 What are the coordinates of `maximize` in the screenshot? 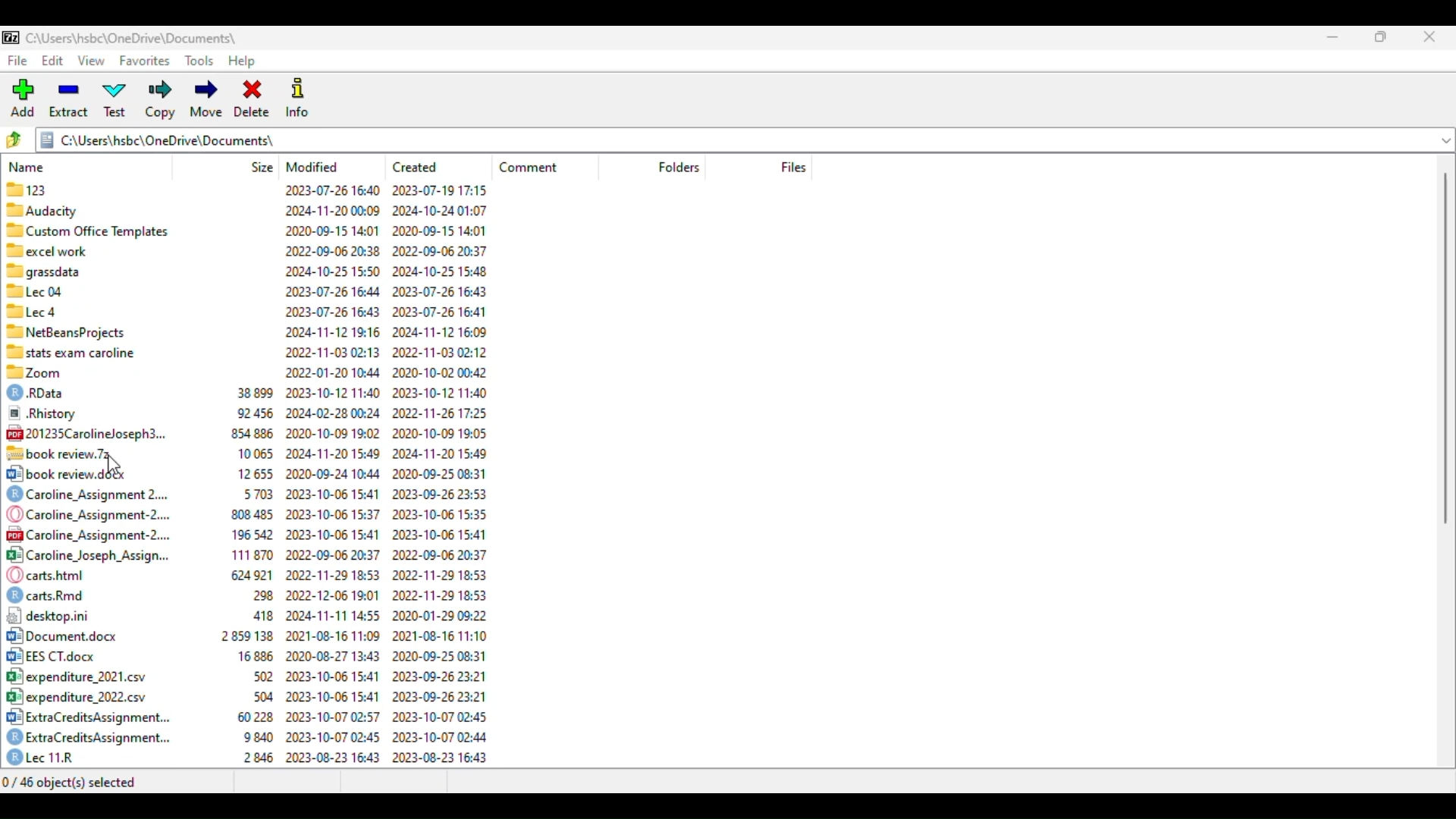 It's located at (1382, 38).